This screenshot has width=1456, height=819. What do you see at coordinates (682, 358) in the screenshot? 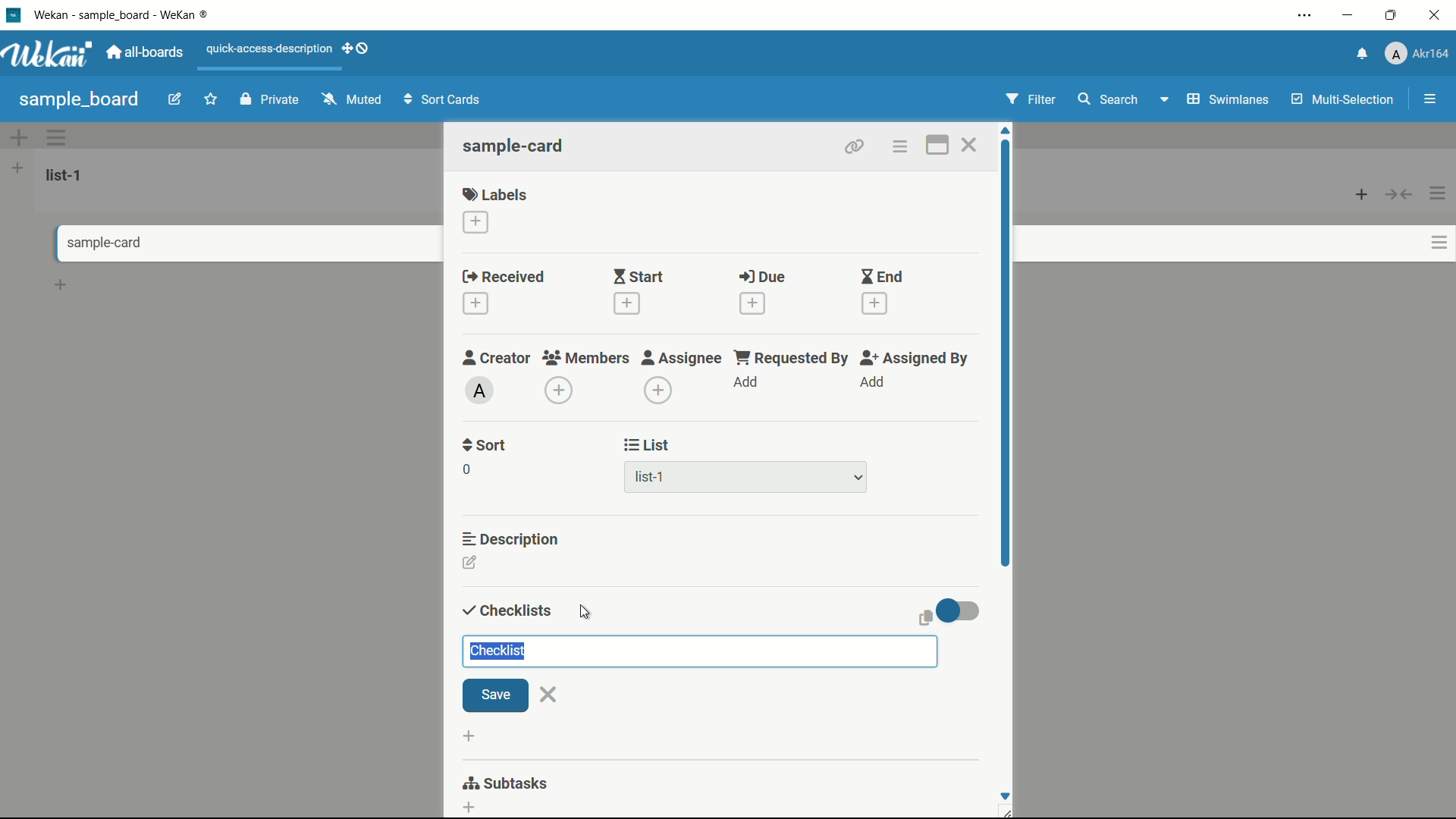
I see `assignee` at bounding box center [682, 358].